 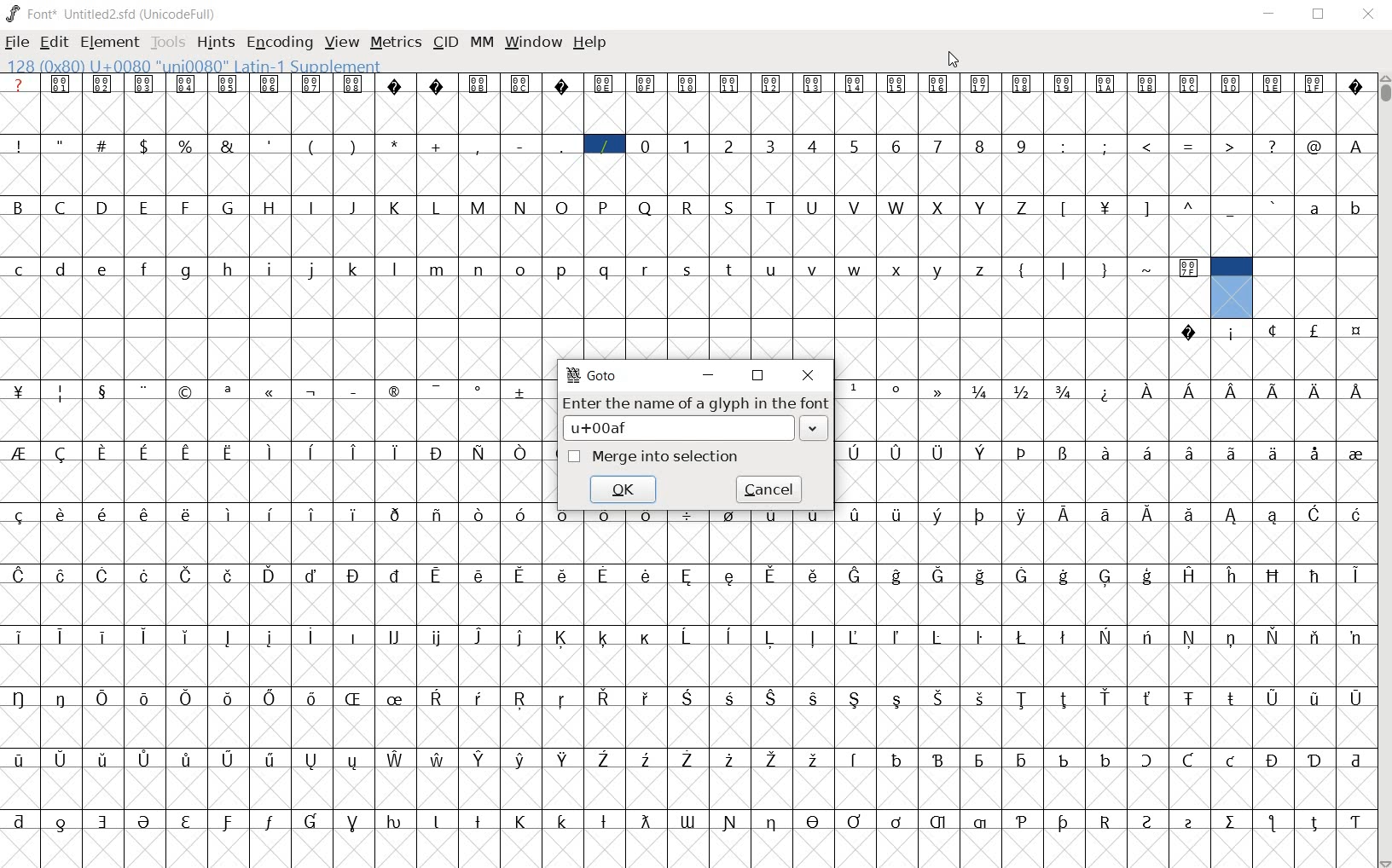 I want to click on Symbol, so click(x=396, y=513).